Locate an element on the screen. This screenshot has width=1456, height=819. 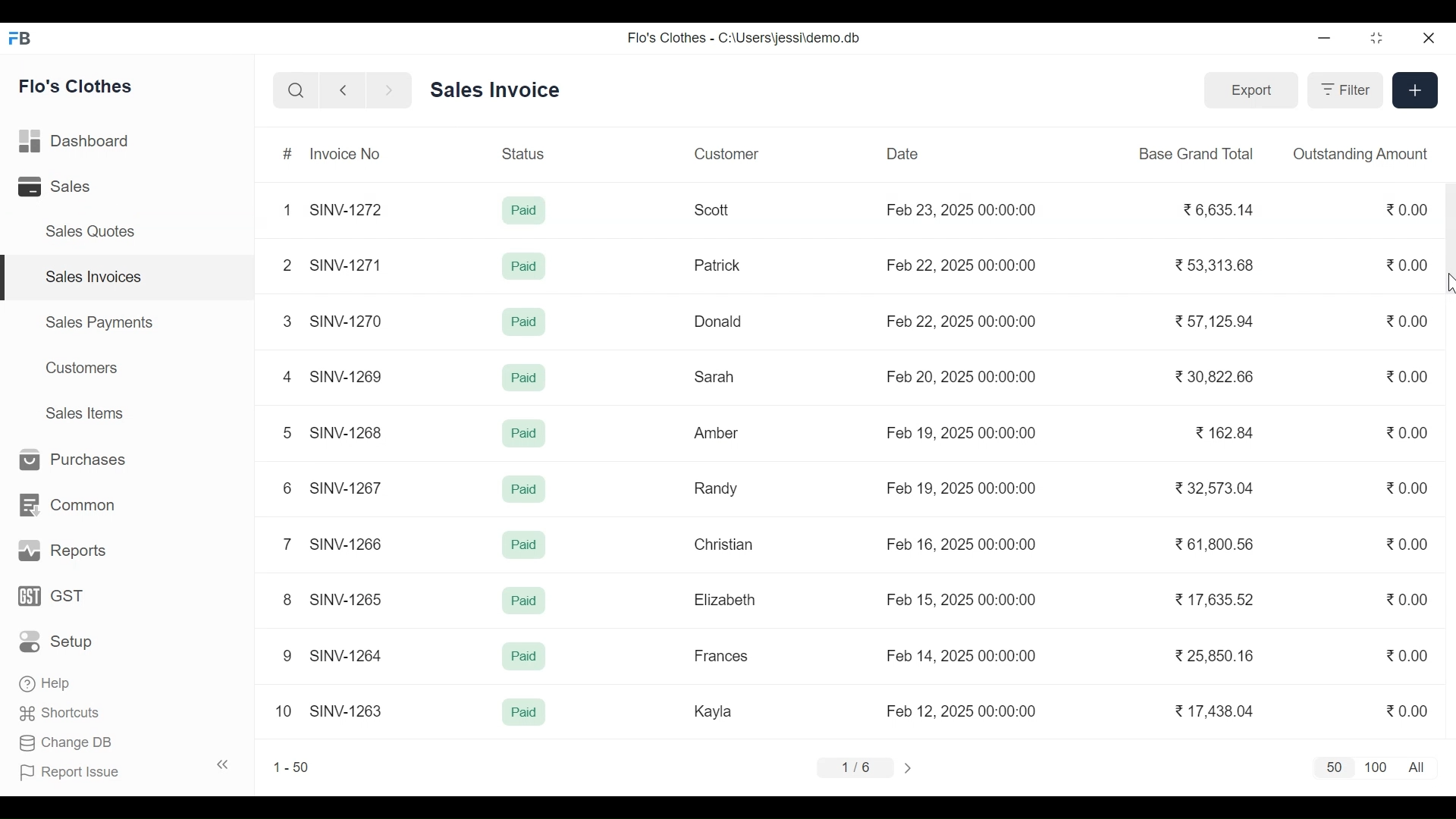
5 is located at coordinates (285, 431).